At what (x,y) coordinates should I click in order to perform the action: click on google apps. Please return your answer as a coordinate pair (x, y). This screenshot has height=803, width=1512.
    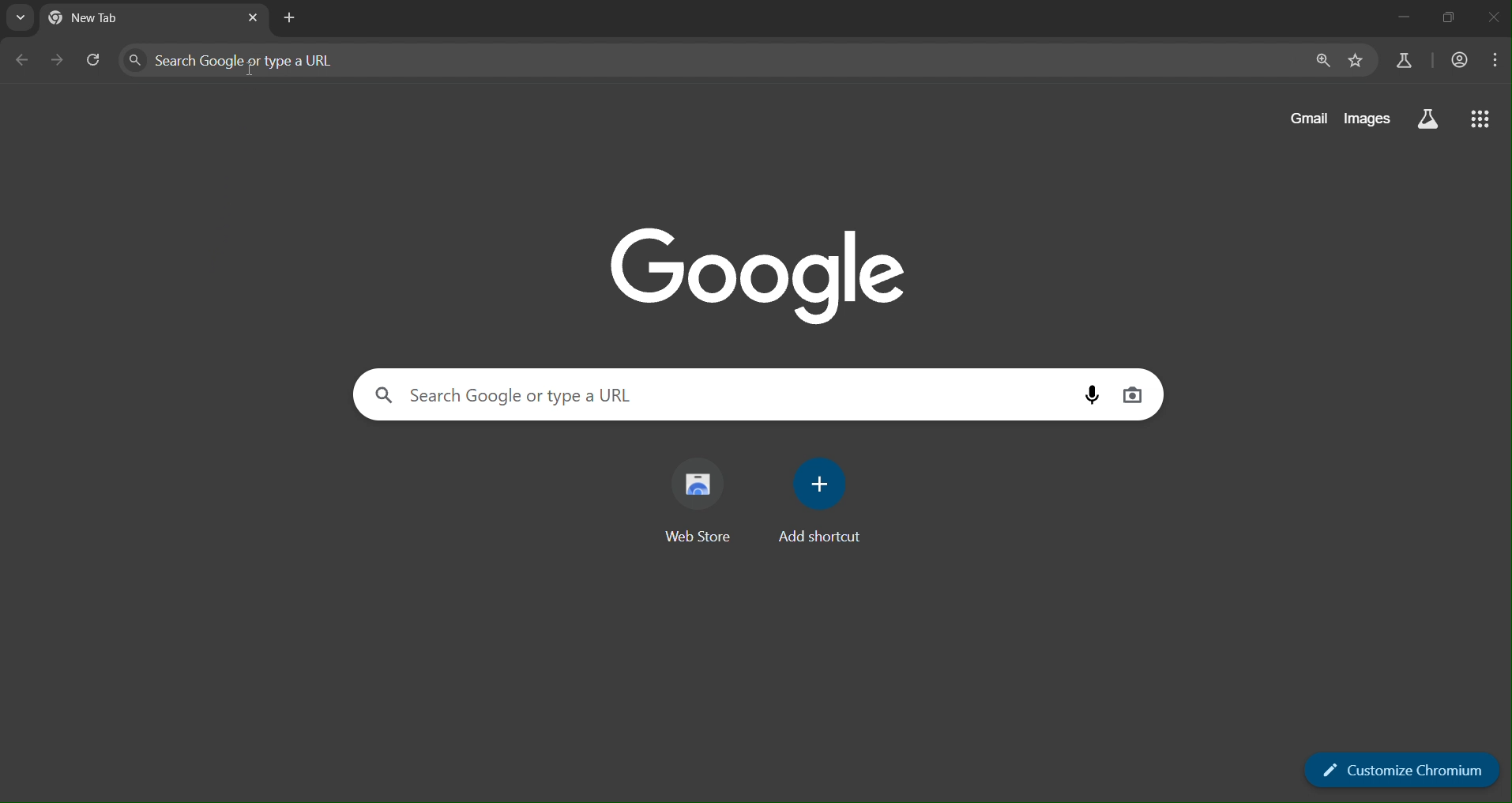
    Looking at the image, I should click on (1478, 117).